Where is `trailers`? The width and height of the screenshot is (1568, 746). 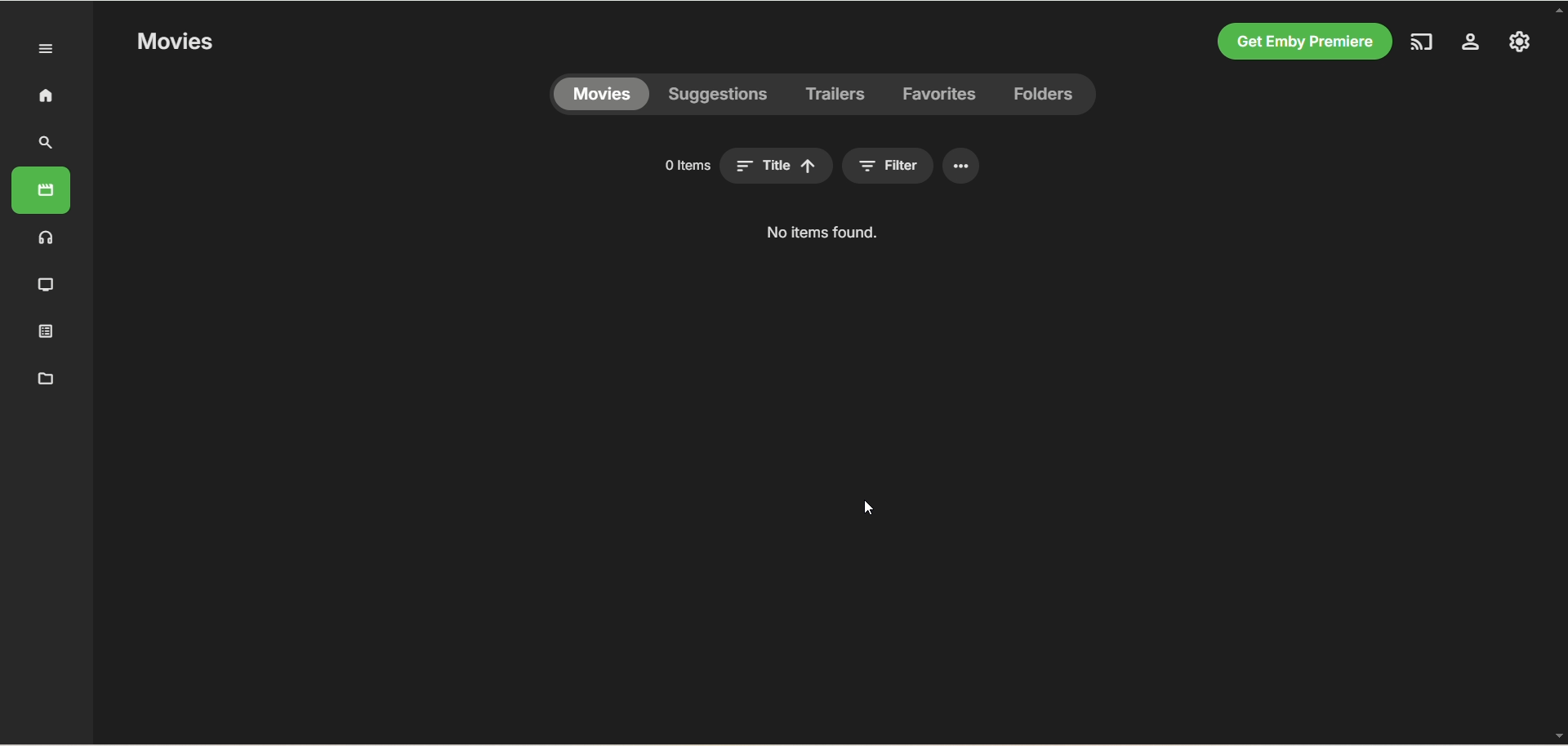 trailers is located at coordinates (836, 95).